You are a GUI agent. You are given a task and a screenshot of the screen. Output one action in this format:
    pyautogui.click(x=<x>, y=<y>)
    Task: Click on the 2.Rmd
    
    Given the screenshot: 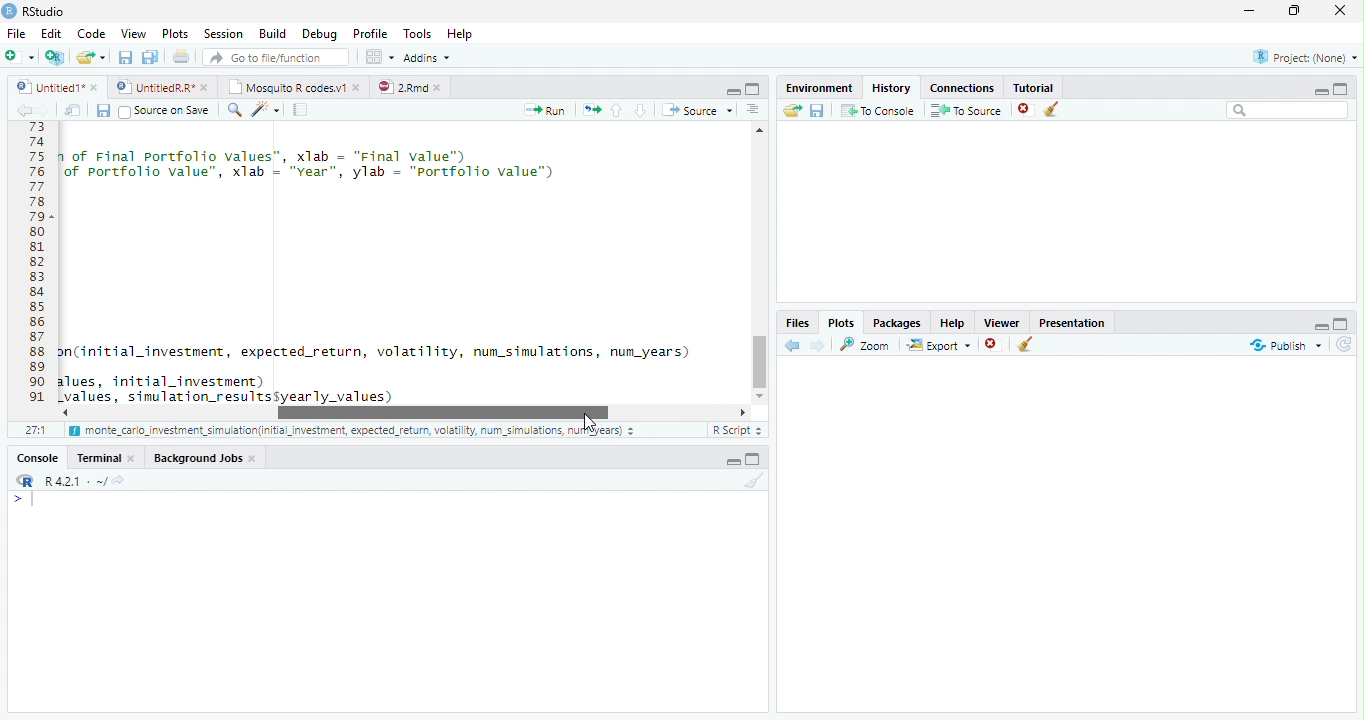 What is the action you would take?
    pyautogui.click(x=410, y=87)
    